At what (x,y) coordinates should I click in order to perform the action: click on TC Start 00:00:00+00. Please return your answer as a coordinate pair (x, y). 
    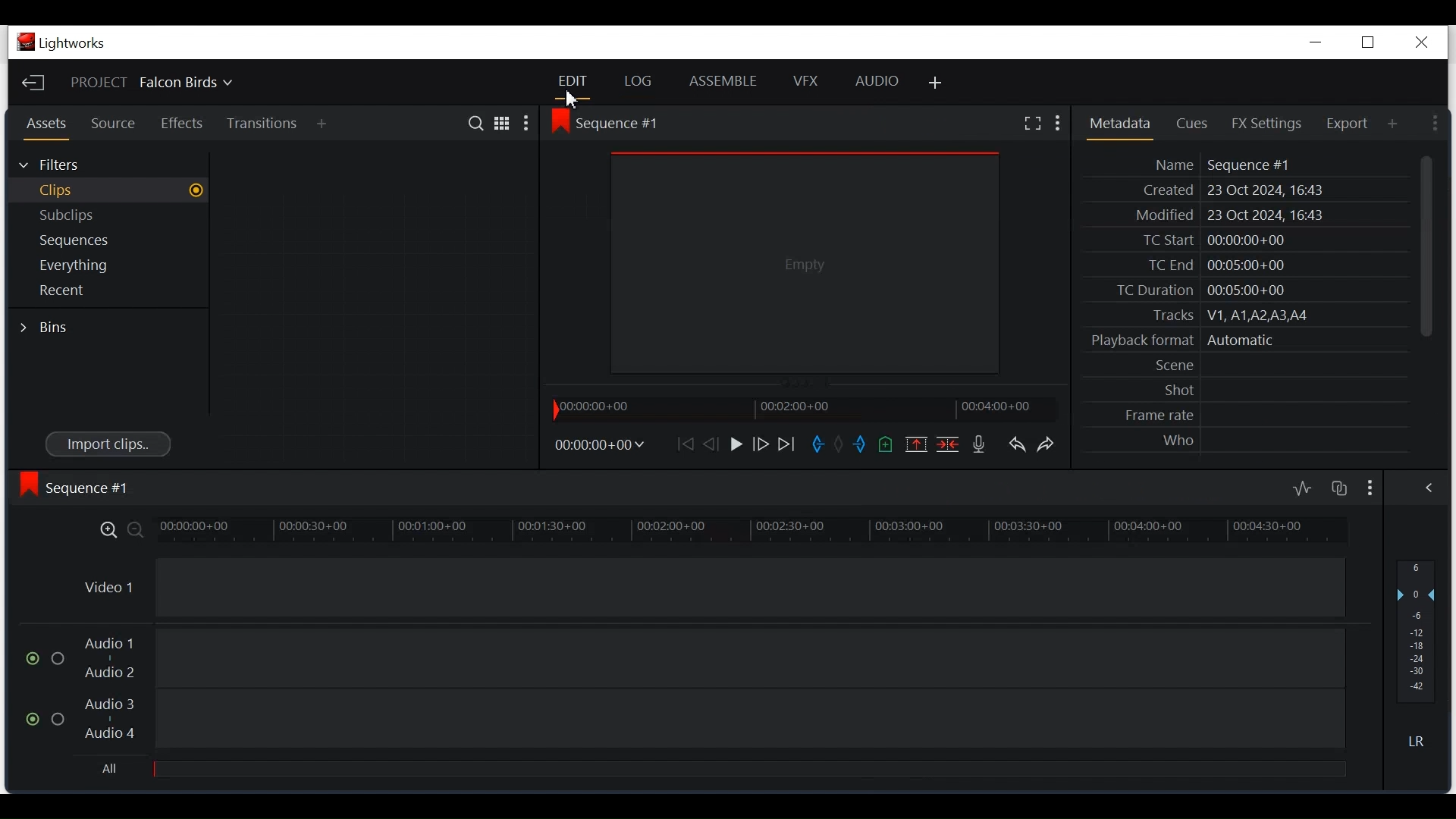
    Looking at the image, I should click on (1220, 240).